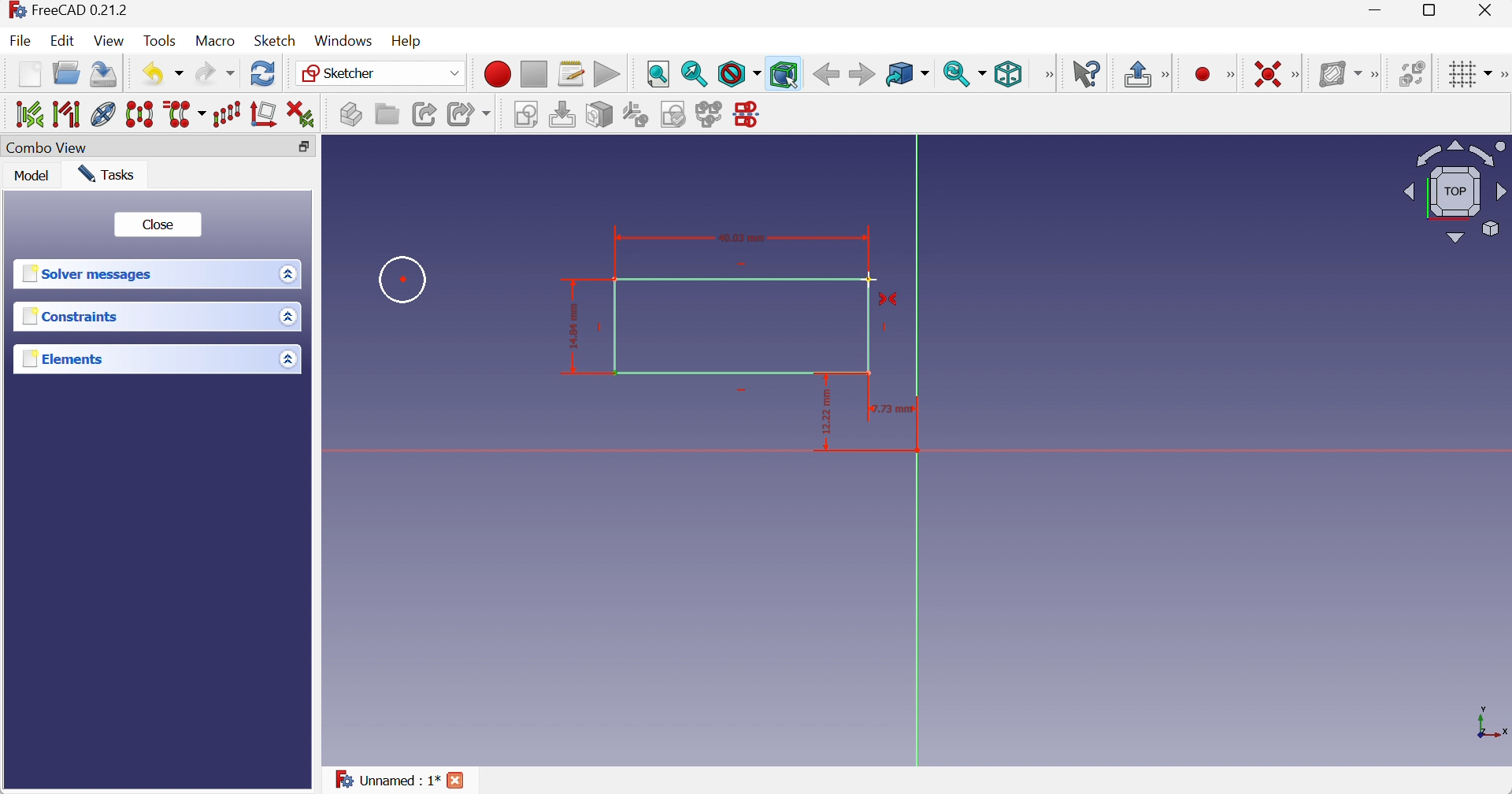 The width and height of the screenshot is (1512, 794). I want to click on Drop down, so click(291, 317).